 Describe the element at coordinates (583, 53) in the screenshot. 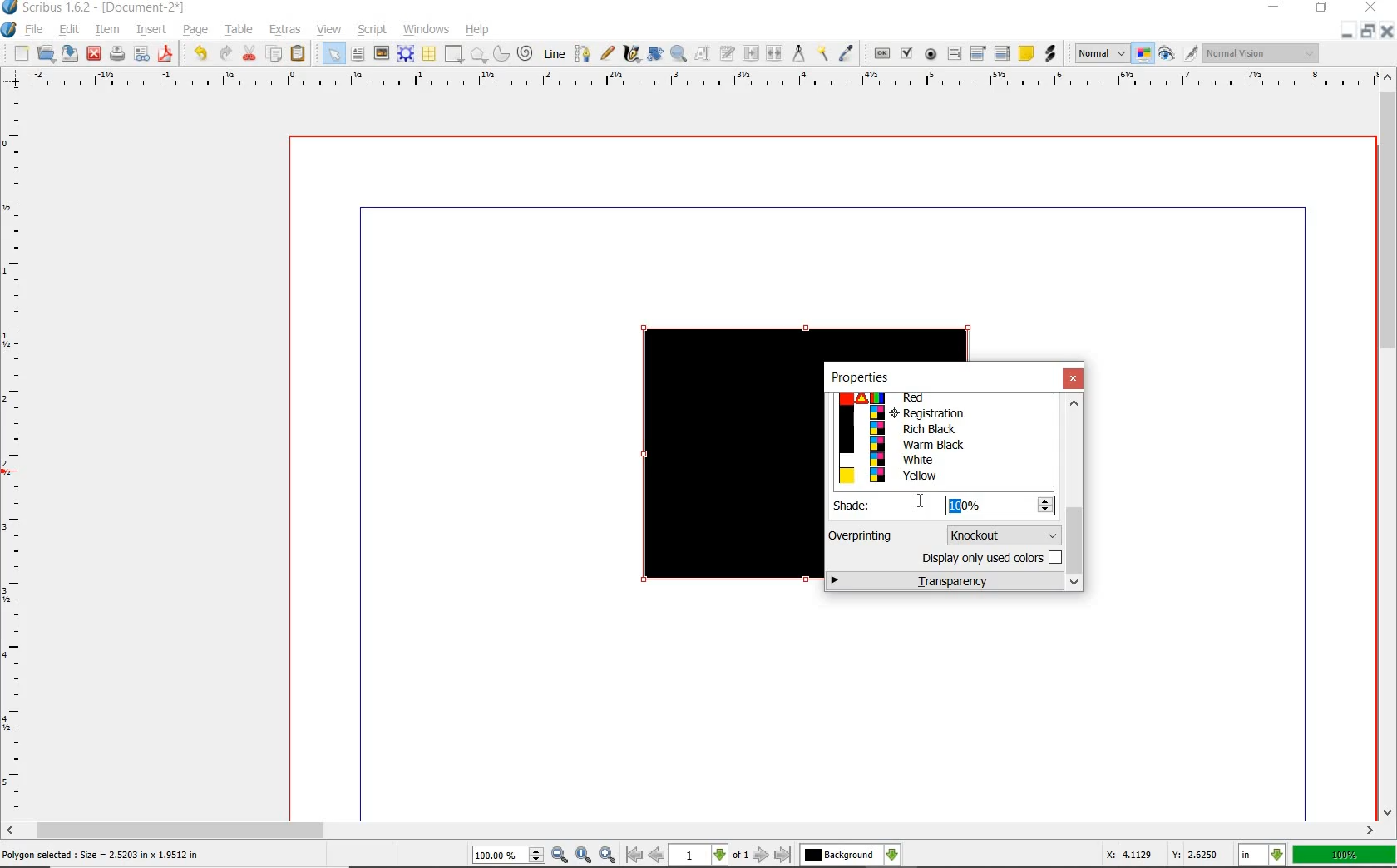

I see `bezier curve` at that location.